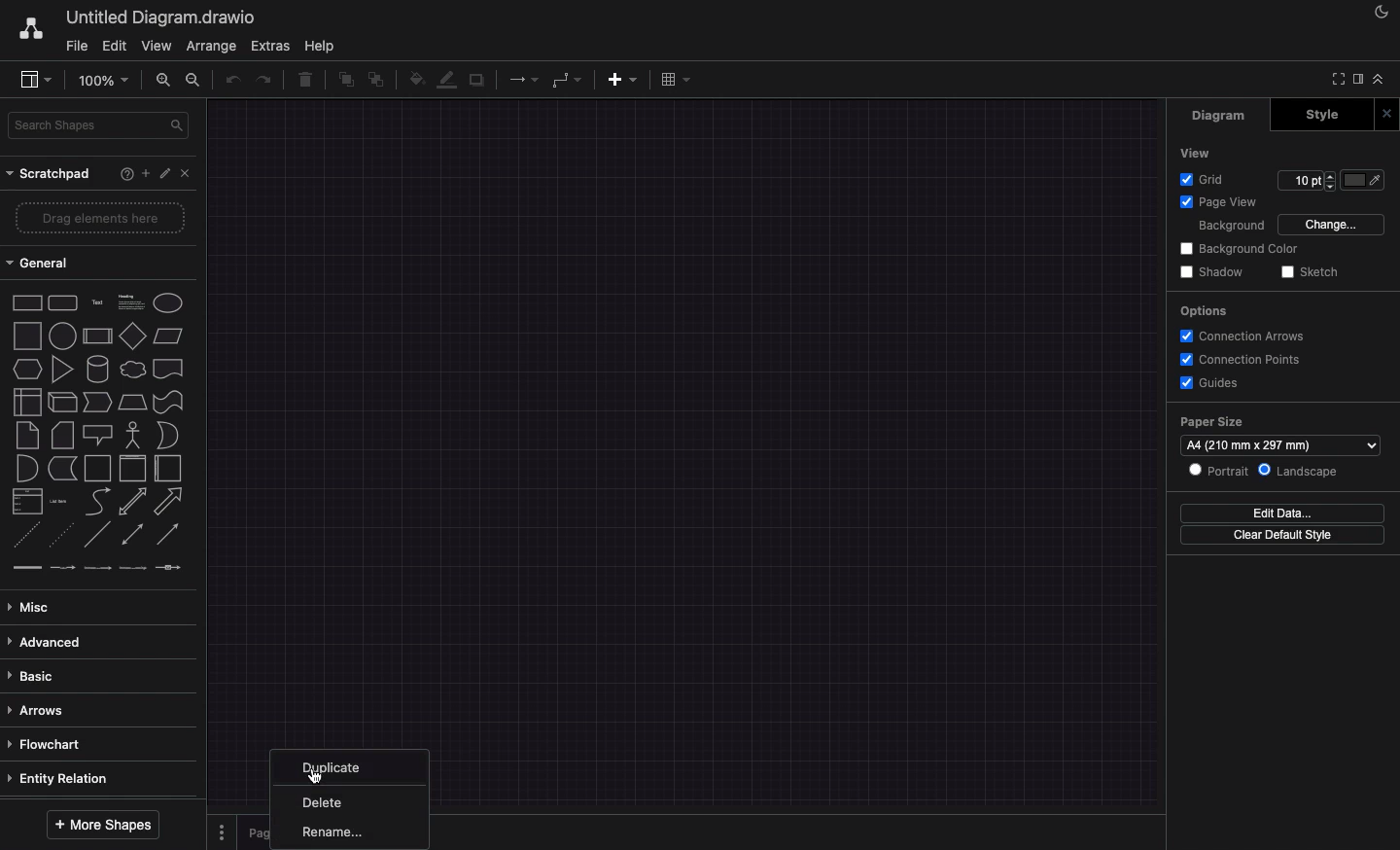 The height and width of the screenshot is (850, 1400). What do you see at coordinates (1244, 336) in the screenshot?
I see `connection arrows` at bounding box center [1244, 336].